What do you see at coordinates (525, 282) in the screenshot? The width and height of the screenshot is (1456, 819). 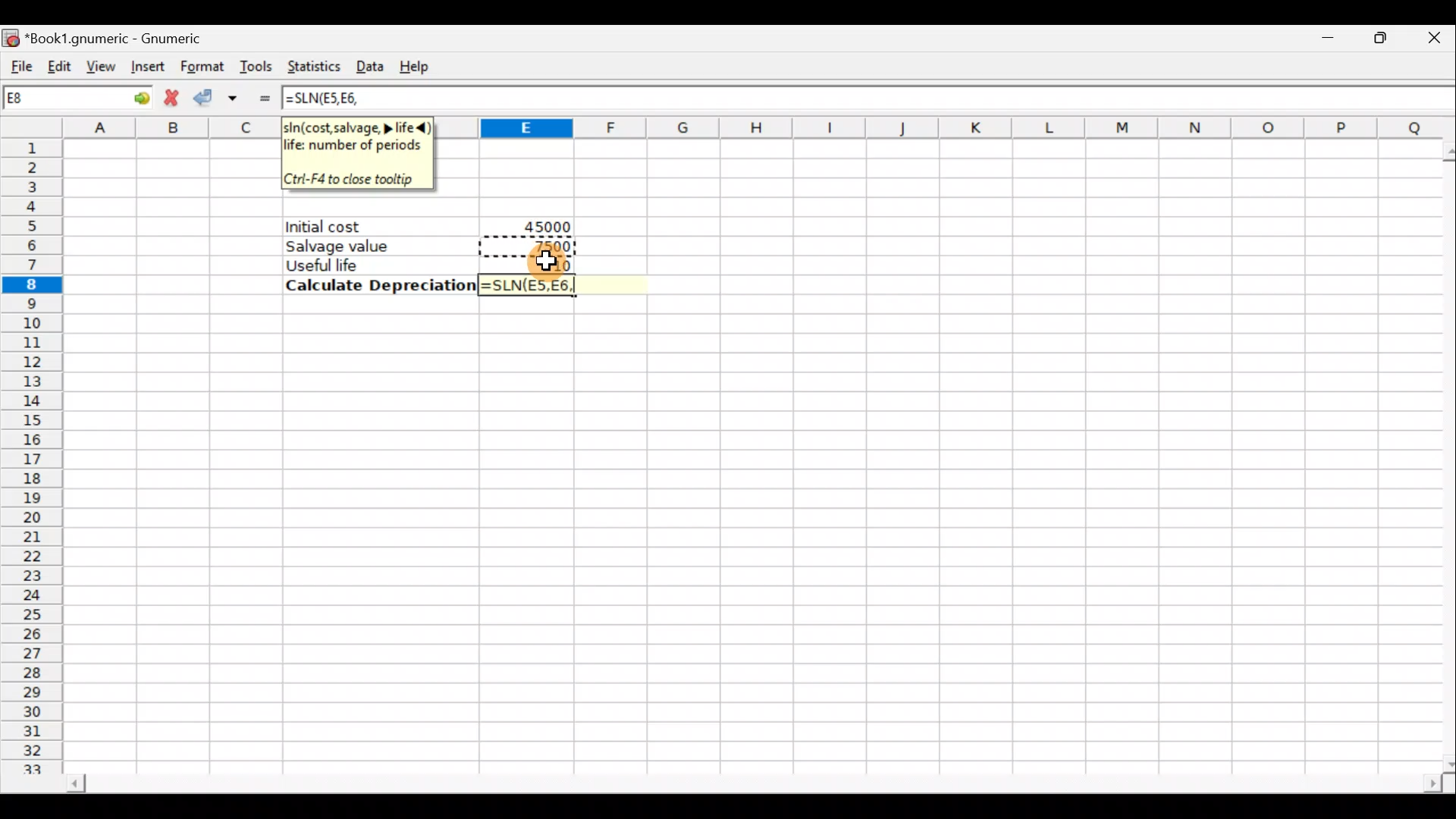 I see `=SLN(E5,E6,` at bounding box center [525, 282].